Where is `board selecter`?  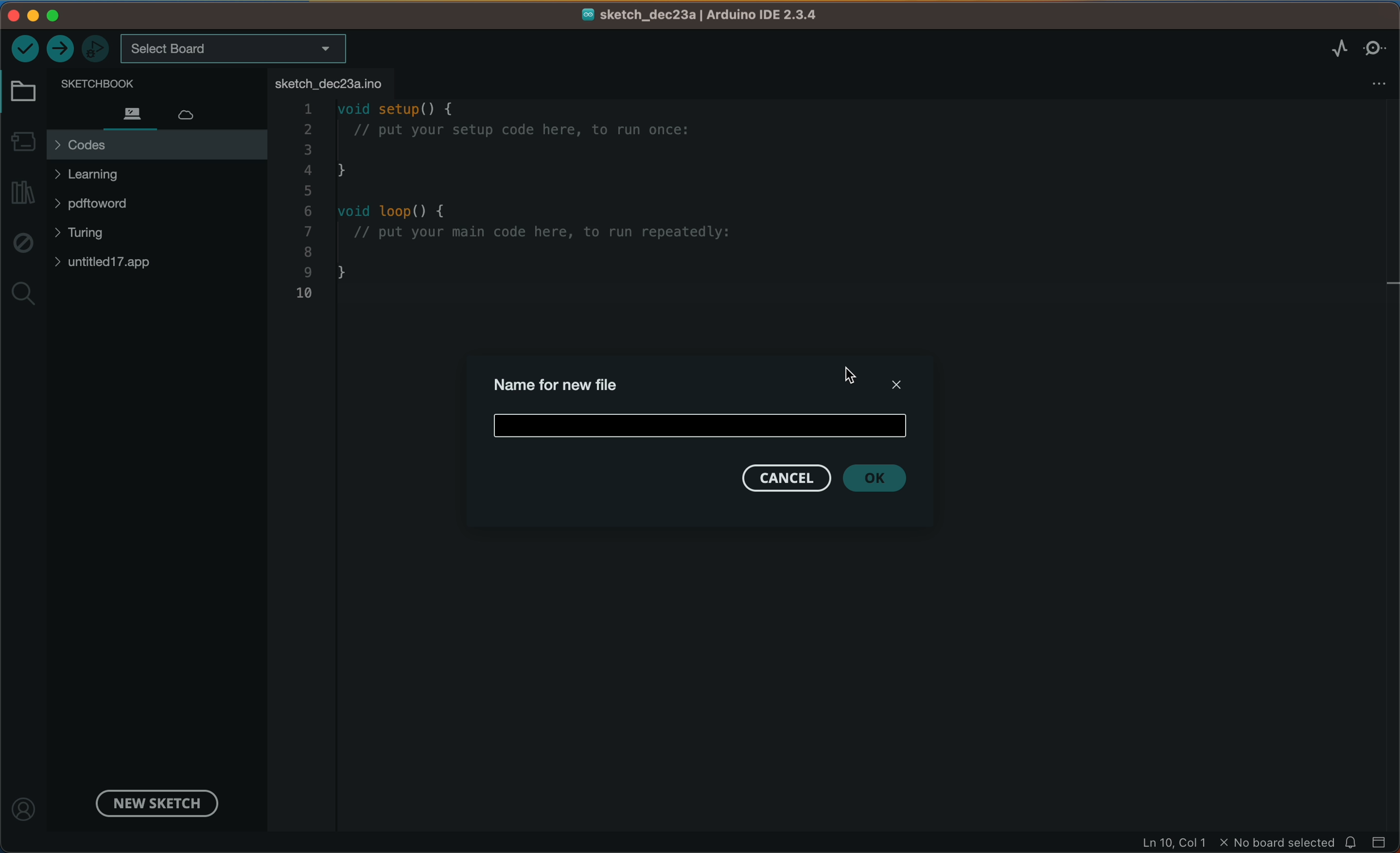 board selecter is located at coordinates (235, 49).